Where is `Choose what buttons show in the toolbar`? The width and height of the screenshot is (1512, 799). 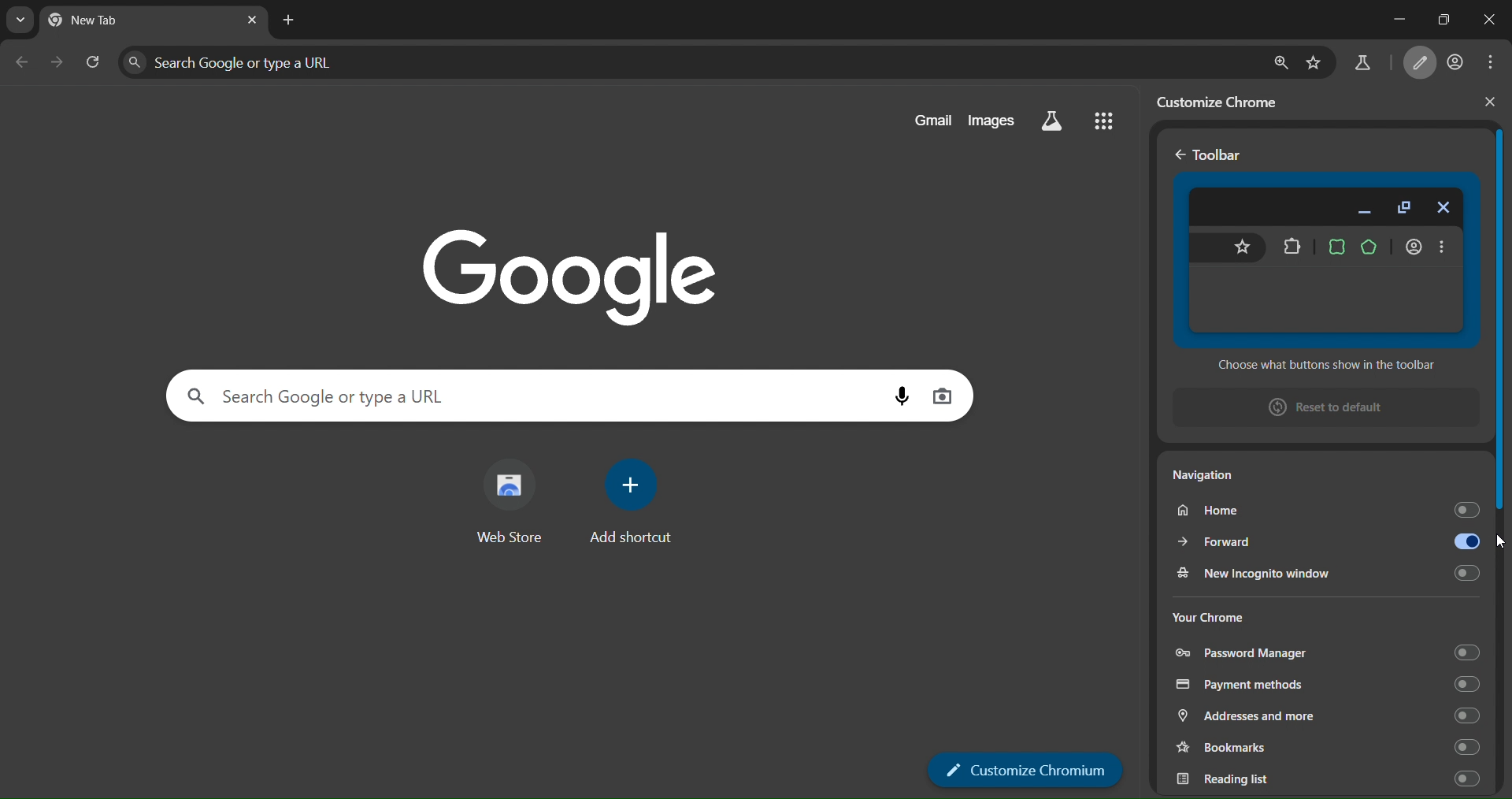 Choose what buttons show in the toolbar is located at coordinates (1321, 366).